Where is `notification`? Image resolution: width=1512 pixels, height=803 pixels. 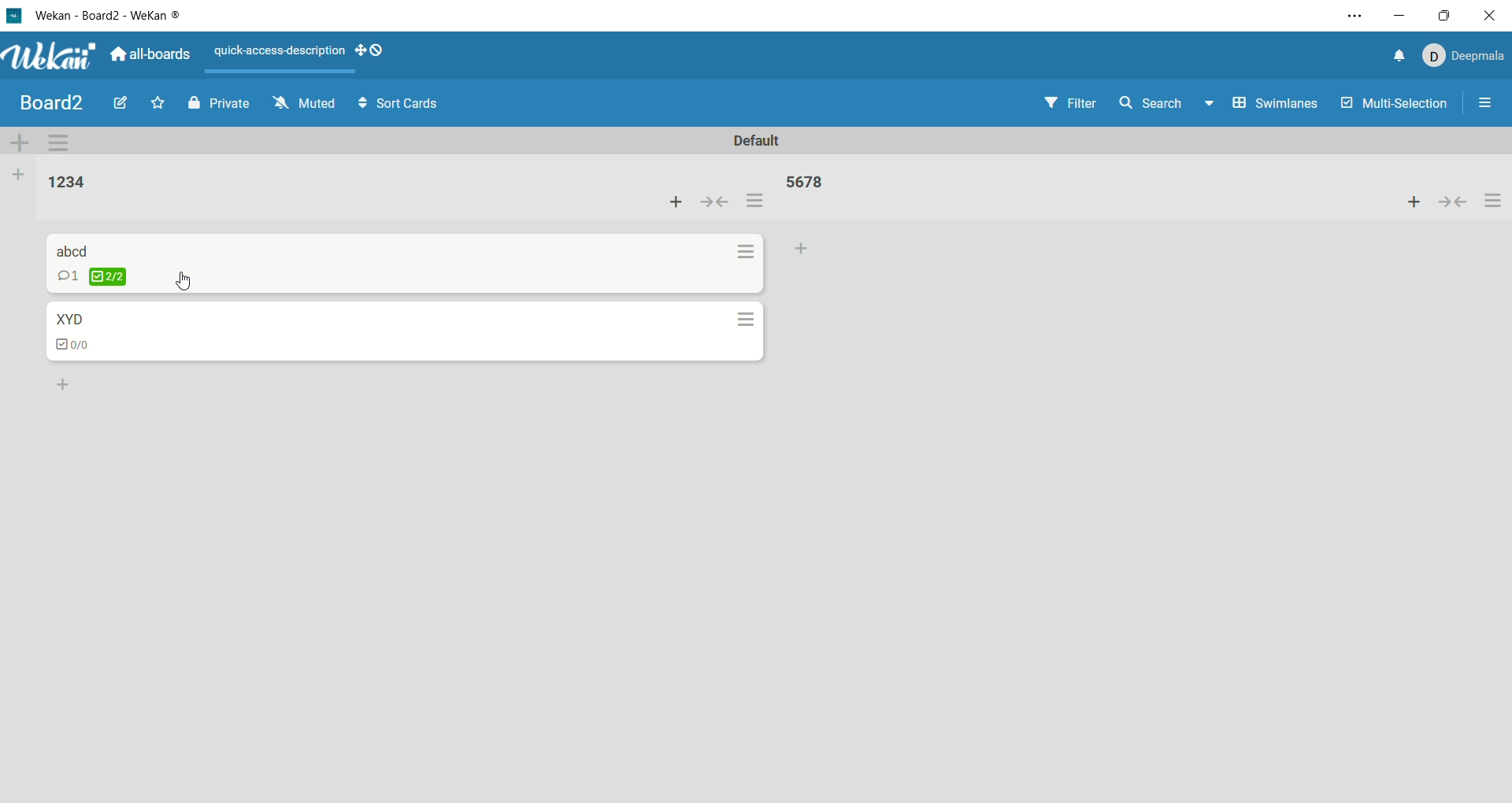
notification is located at coordinates (1395, 58).